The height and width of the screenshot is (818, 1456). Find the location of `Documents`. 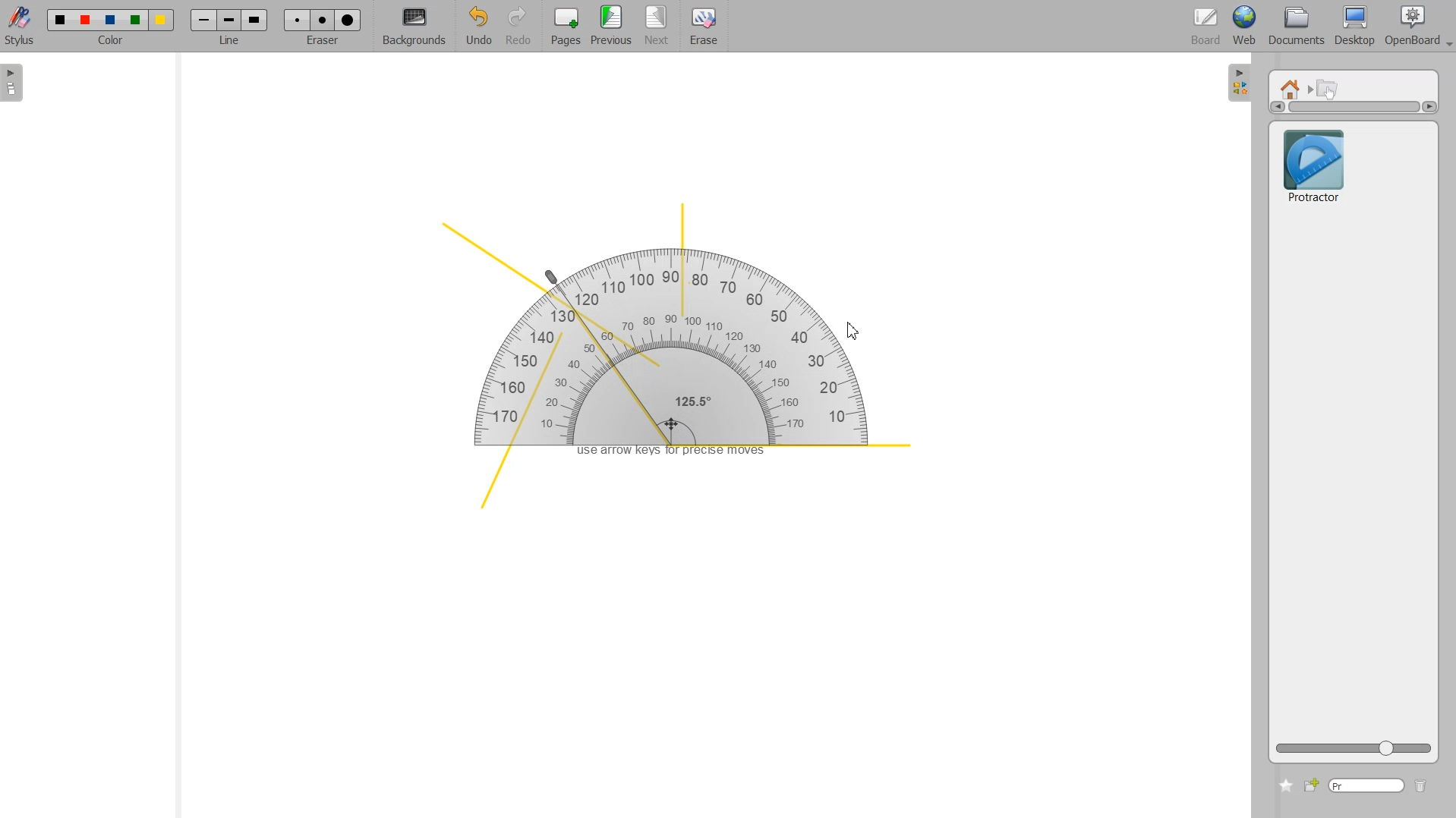

Documents is located at coordinates (1294, 27).